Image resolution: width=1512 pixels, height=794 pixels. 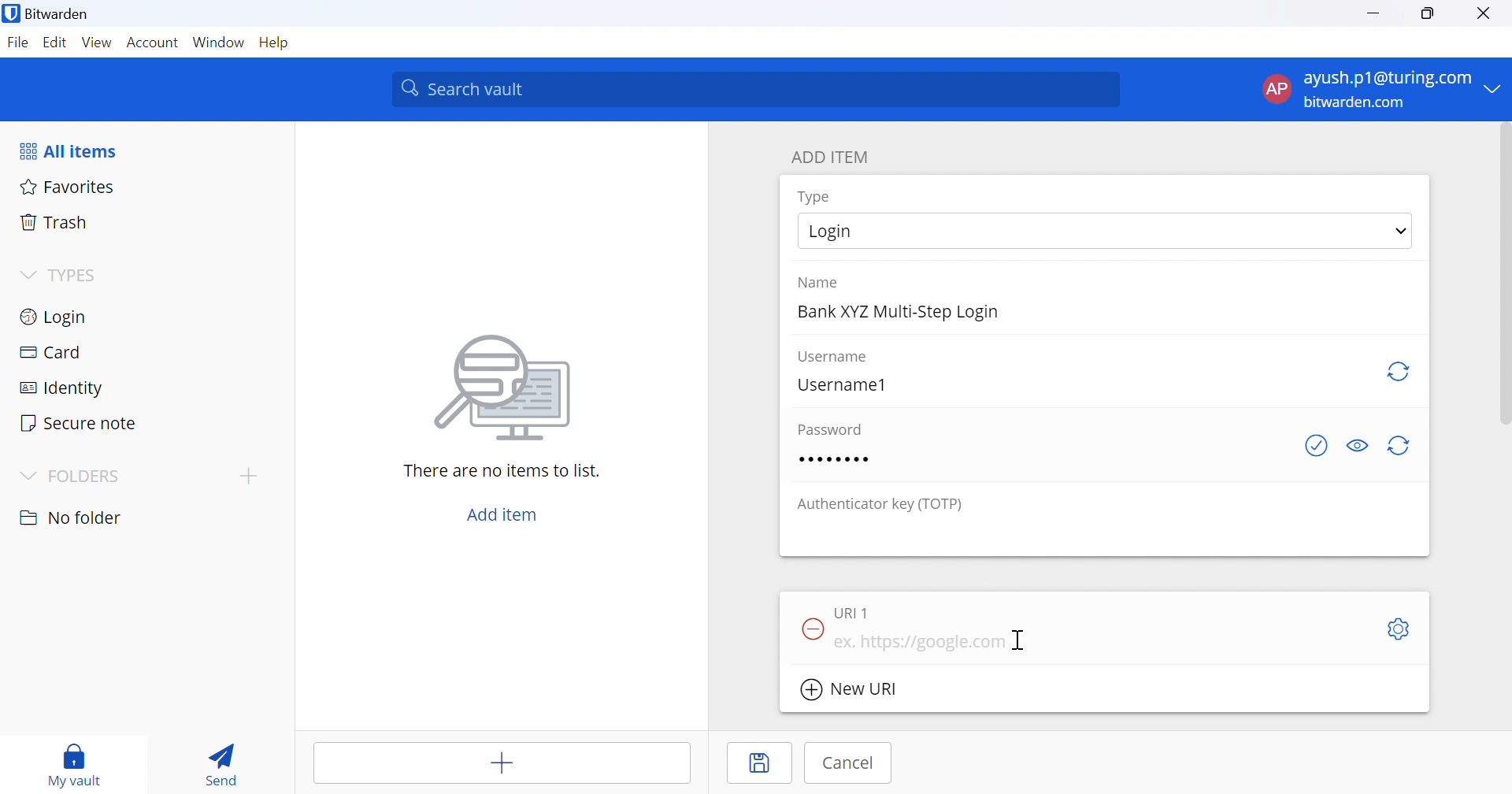 What do you see at coordinates (815, 197) in the screenshot?
I see `Type` at bounding box center [815, 197].